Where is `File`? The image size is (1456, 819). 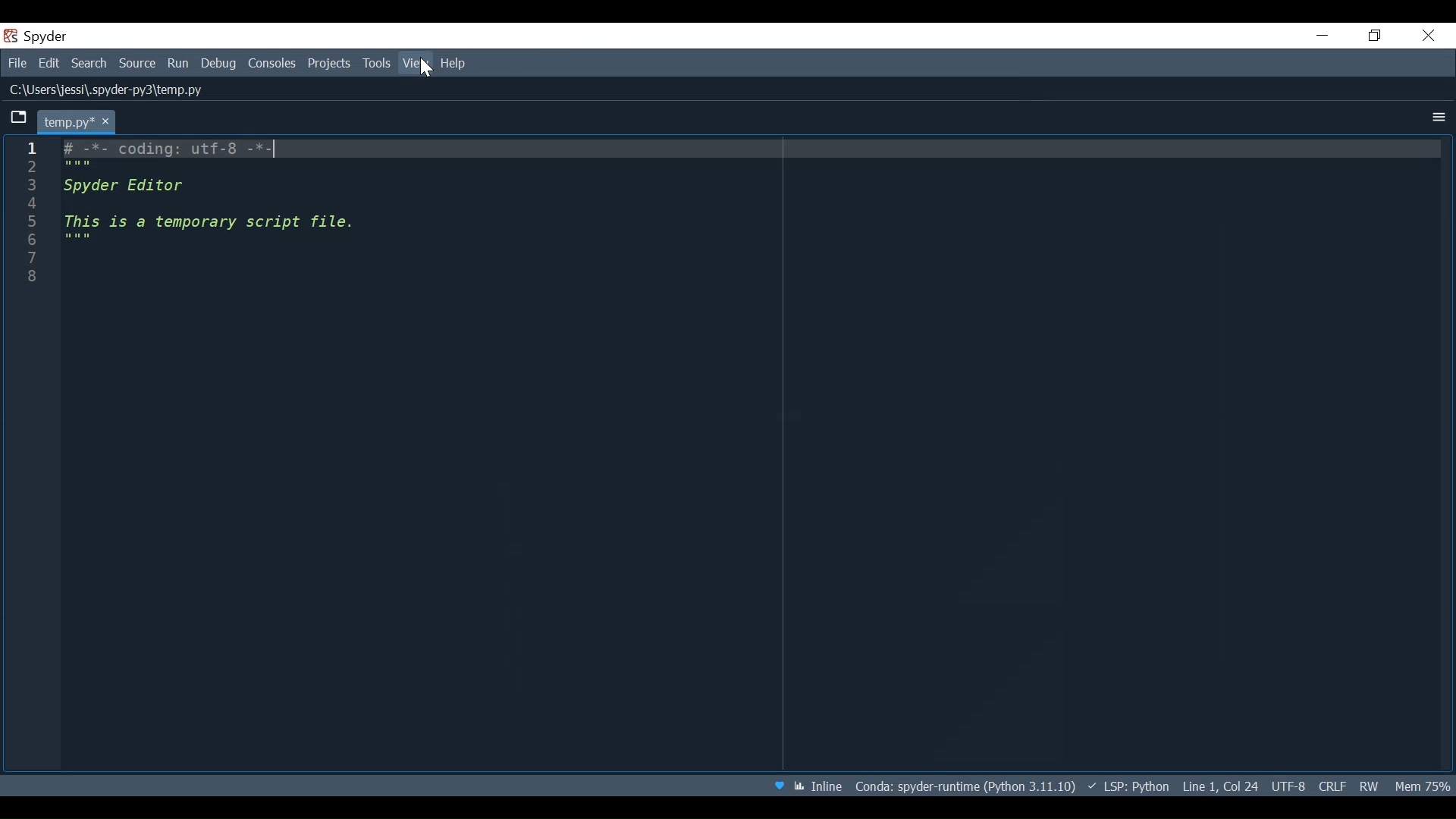
File is located at coordinates (15, 62).